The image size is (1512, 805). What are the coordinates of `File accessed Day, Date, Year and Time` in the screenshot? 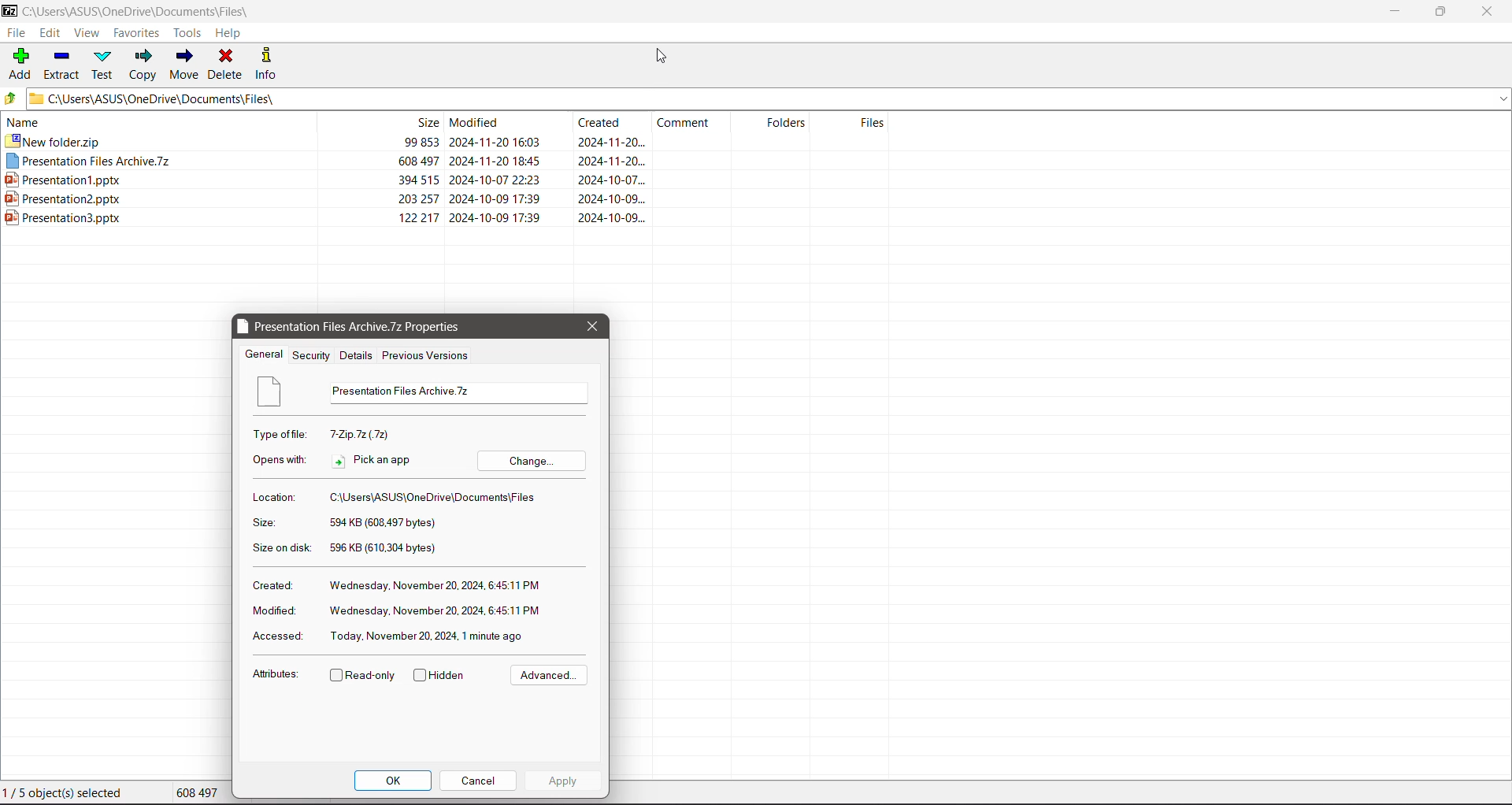 It's located at (430, 638).